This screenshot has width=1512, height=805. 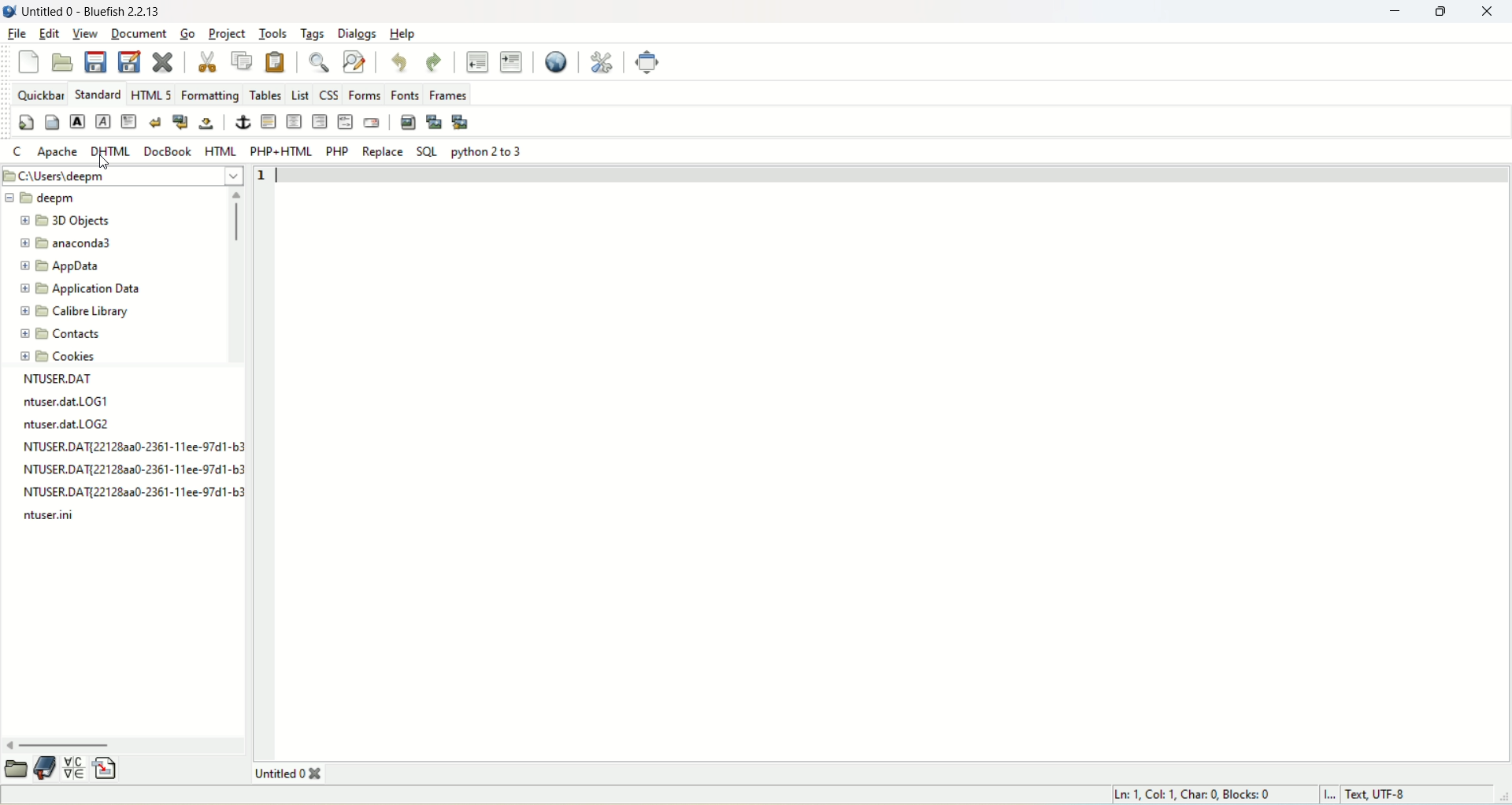 I want to click on docbook, so click(x=168, y=151).